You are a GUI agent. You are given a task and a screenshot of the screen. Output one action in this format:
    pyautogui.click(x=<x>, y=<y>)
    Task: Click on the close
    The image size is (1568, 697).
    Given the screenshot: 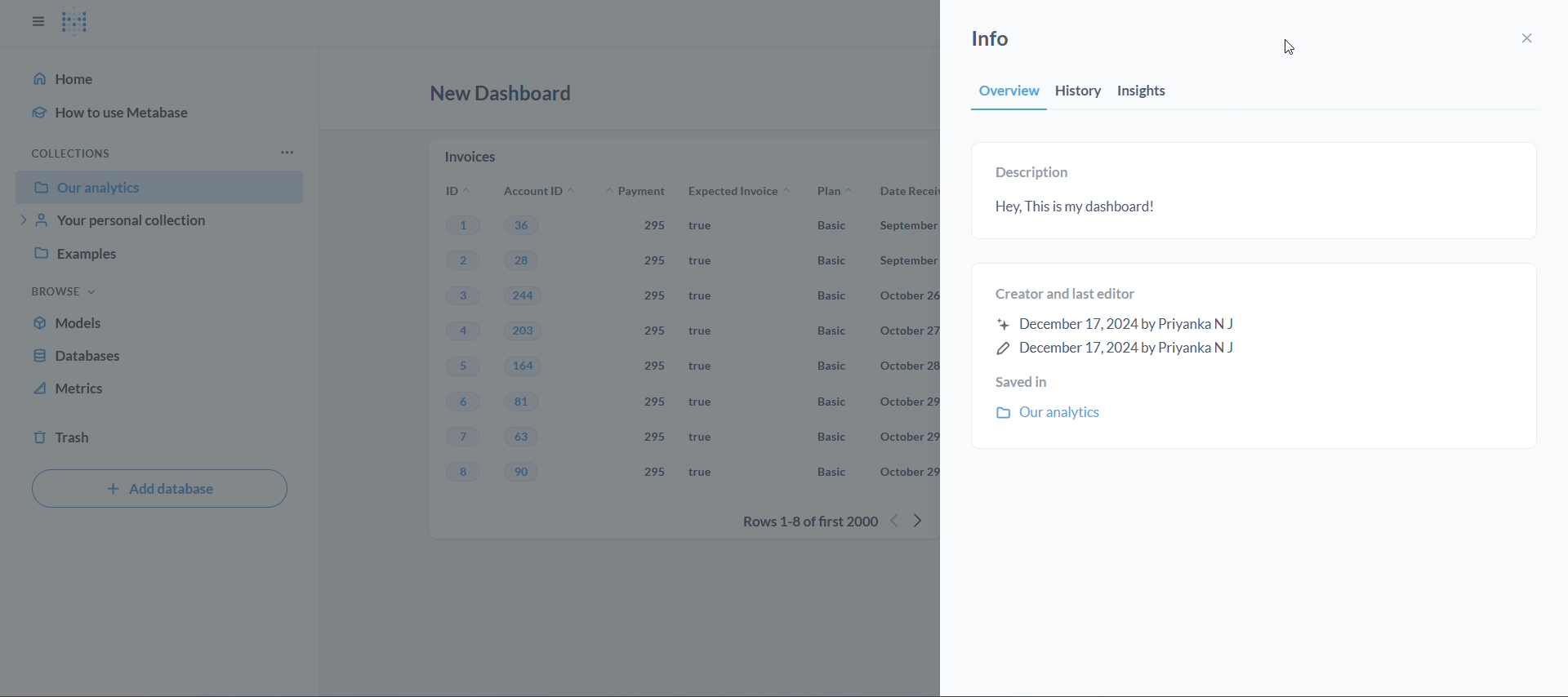 What is the action you would take?
    pyautogui.click(x=1531, y=36)
    